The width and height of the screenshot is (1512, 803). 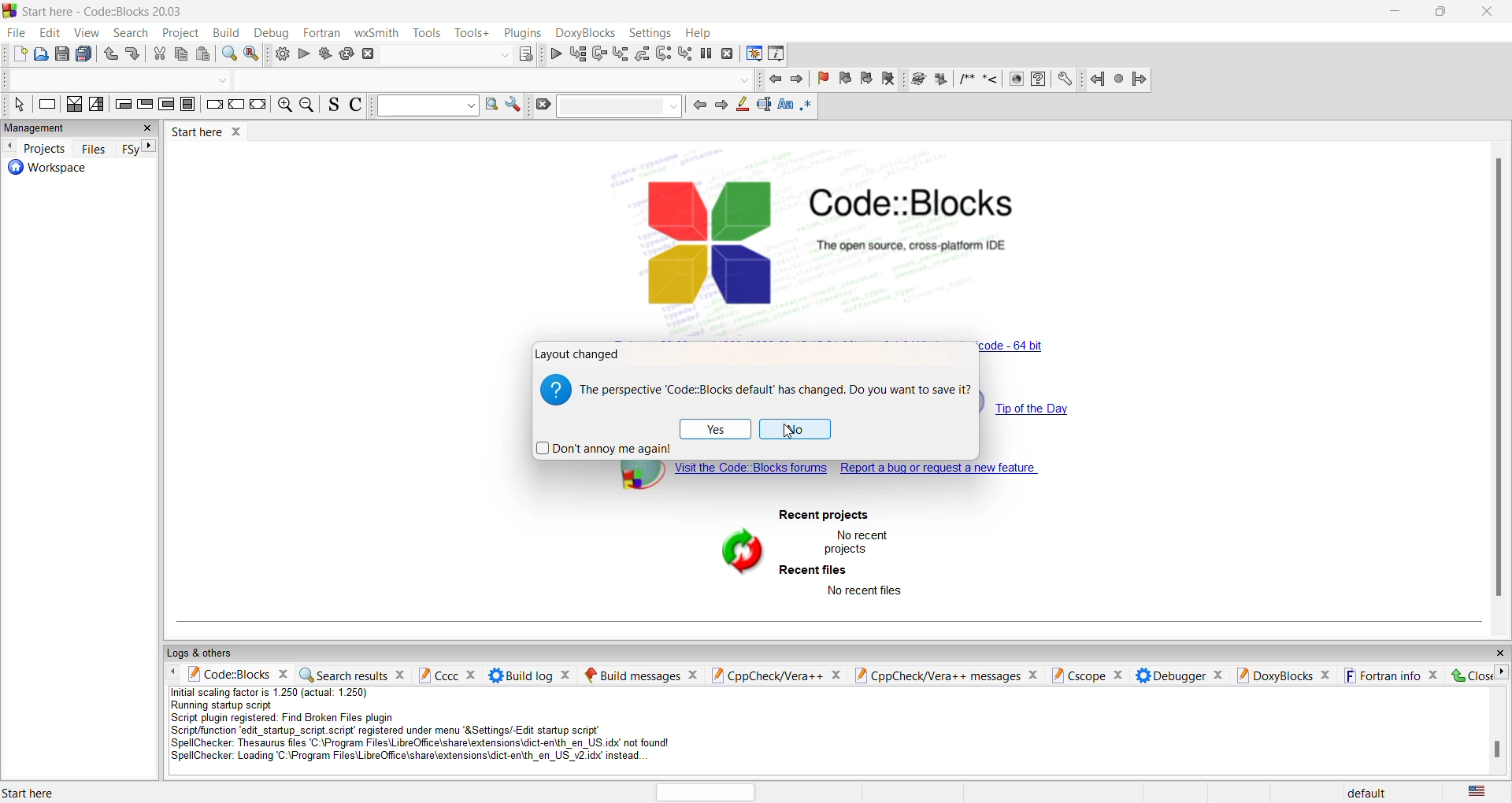 I want to click on cursor, so click(x=21, y=35).